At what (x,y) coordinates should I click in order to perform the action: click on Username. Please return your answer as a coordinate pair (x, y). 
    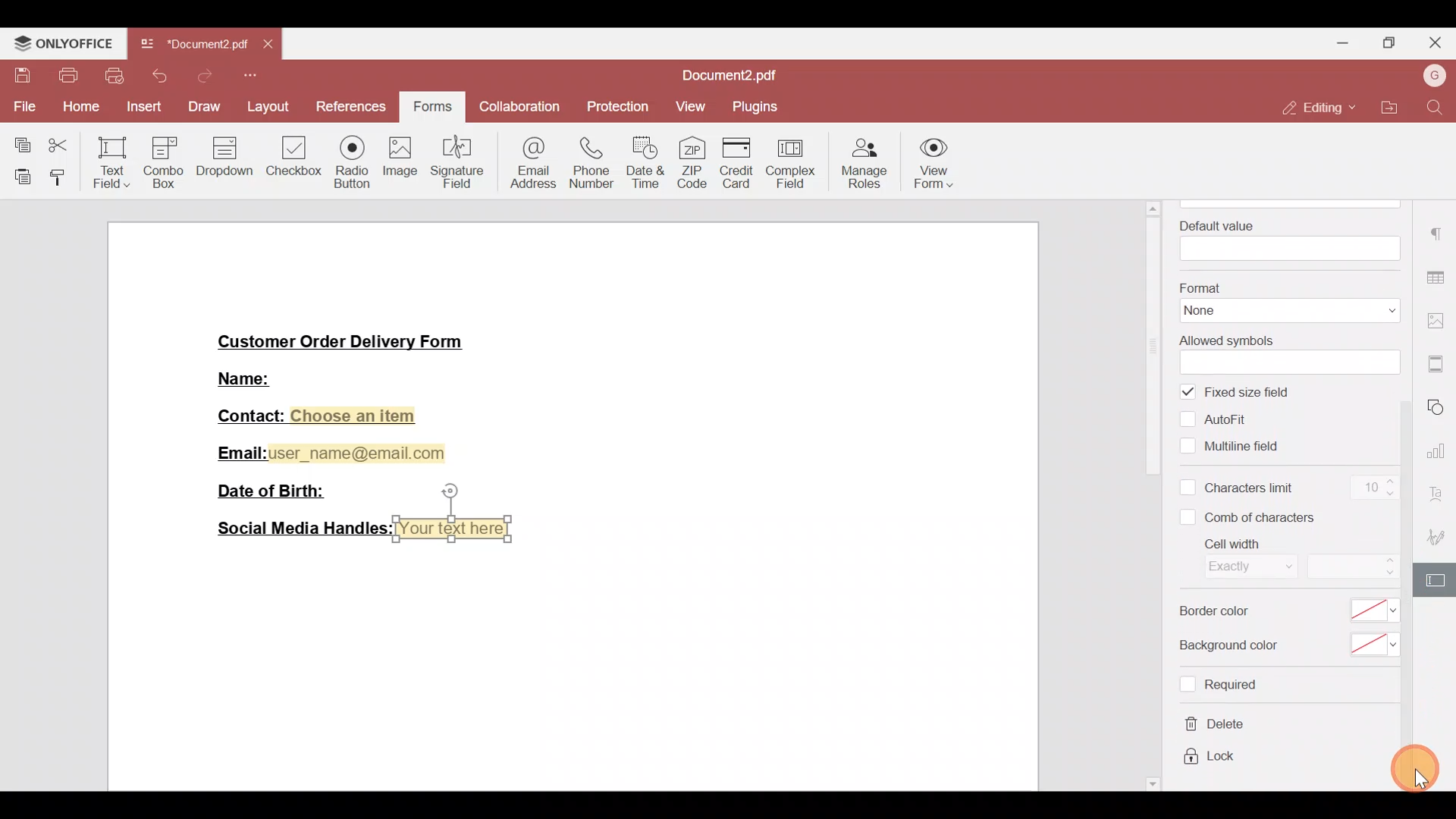
    Looking at the image, I should click on (1432, 77).